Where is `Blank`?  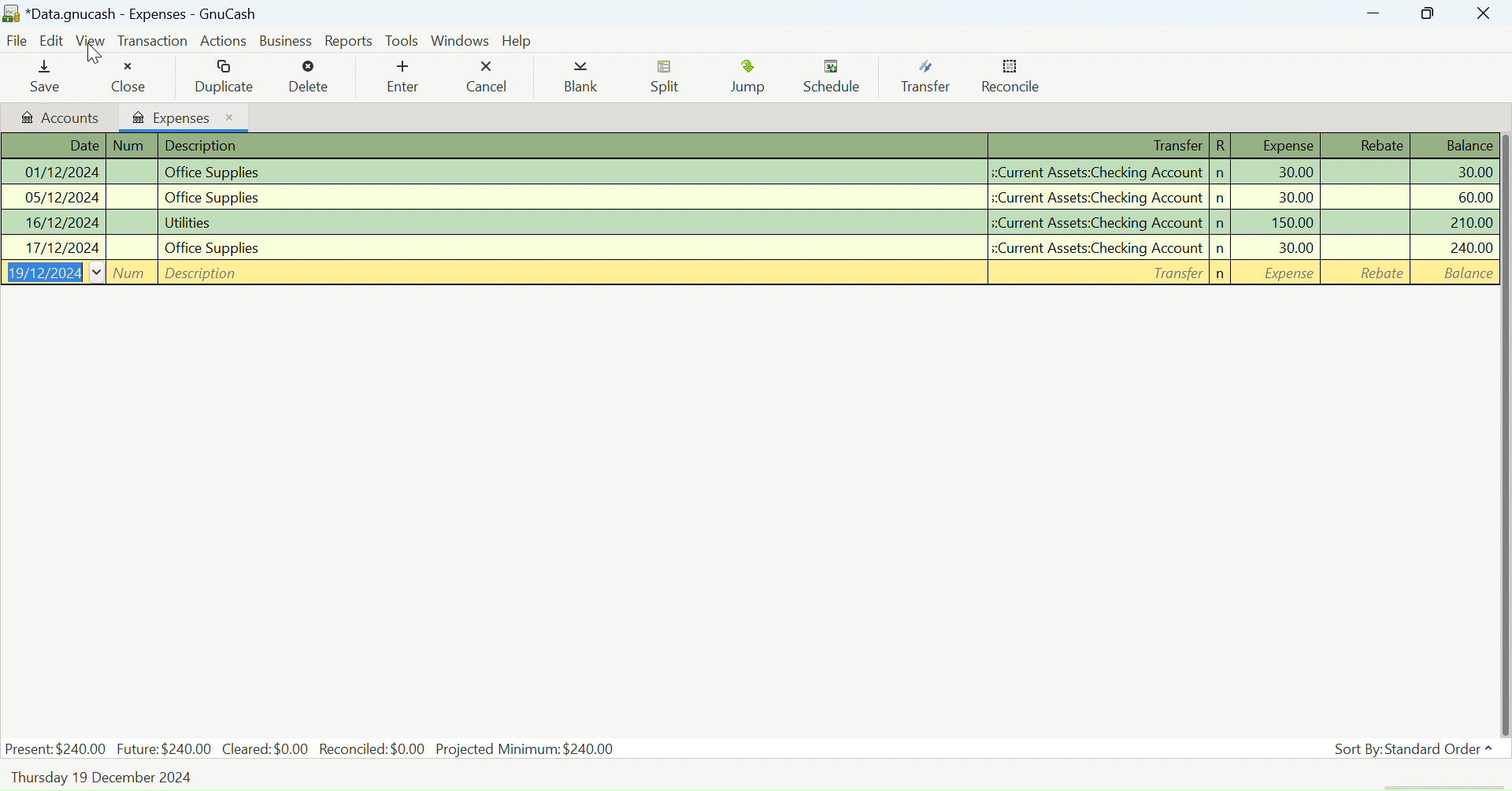
Blank is located at coordinates (581, 80).